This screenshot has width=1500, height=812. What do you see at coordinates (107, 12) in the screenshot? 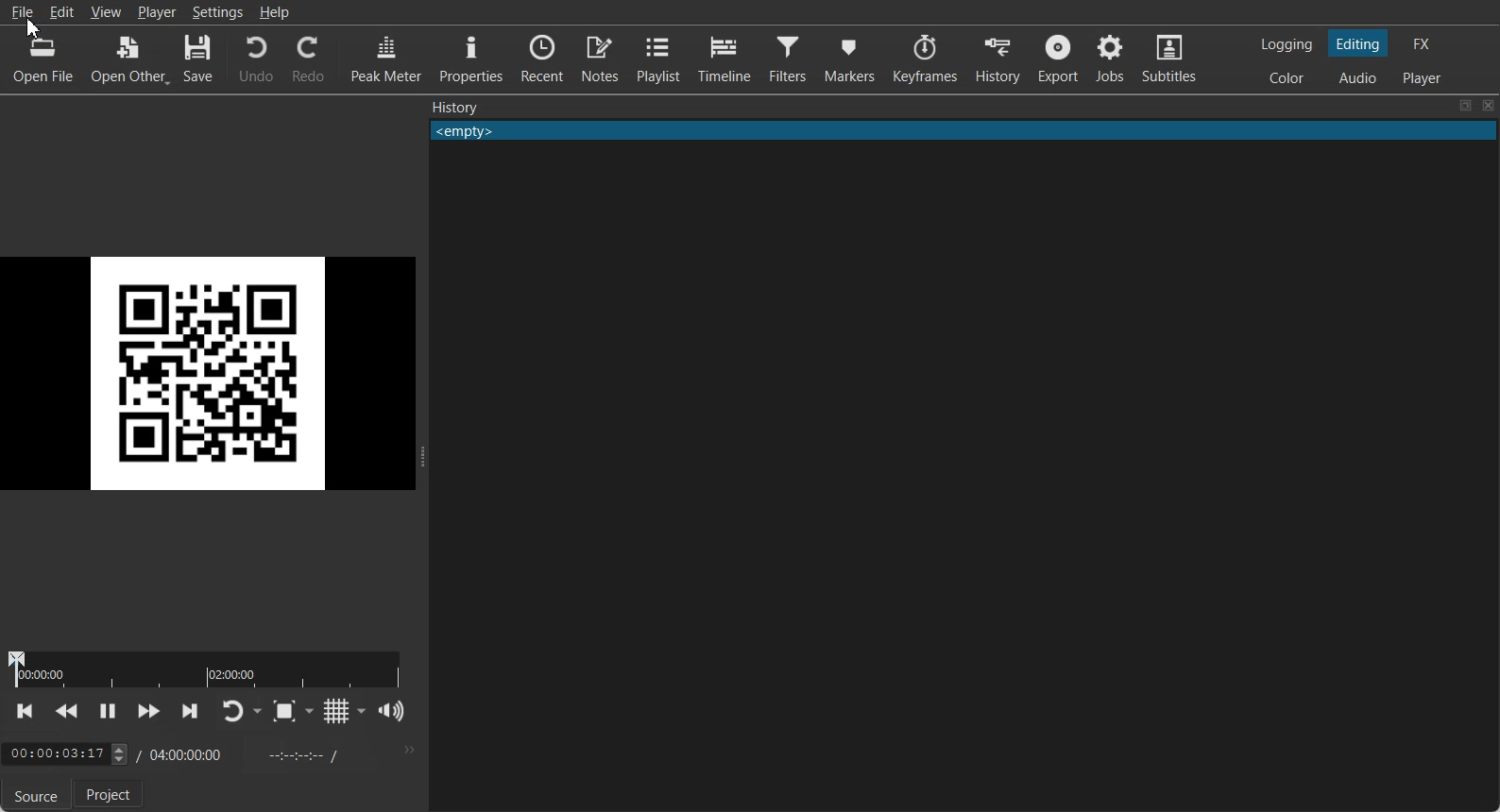
I see `View` at bounding box center [107, 12].